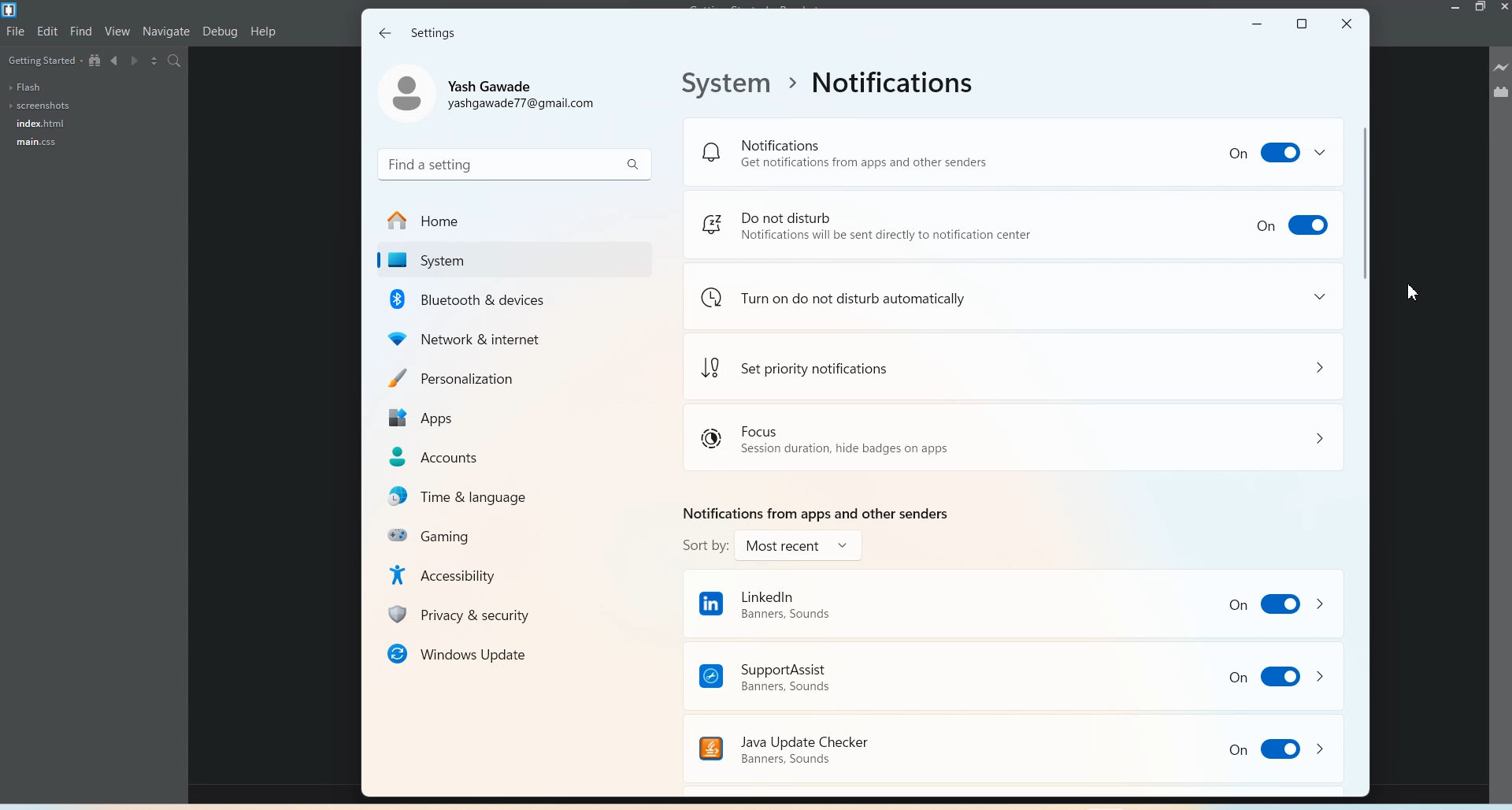 This screenshot has width=1512, height=810. I want to click on Flash, so click(27, 87).